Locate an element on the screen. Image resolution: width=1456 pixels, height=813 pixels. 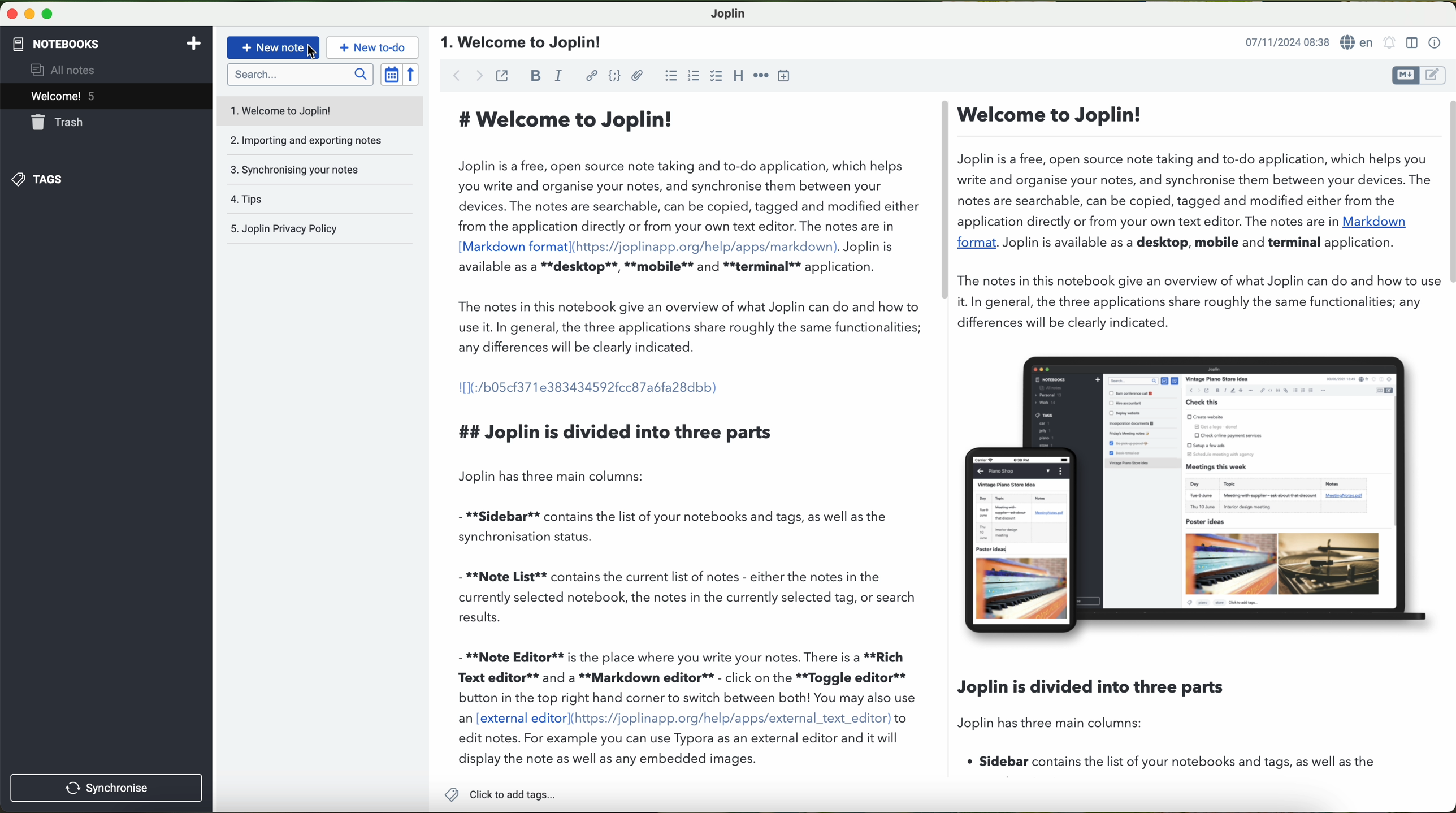
tips is located at coordinates (320, 200).